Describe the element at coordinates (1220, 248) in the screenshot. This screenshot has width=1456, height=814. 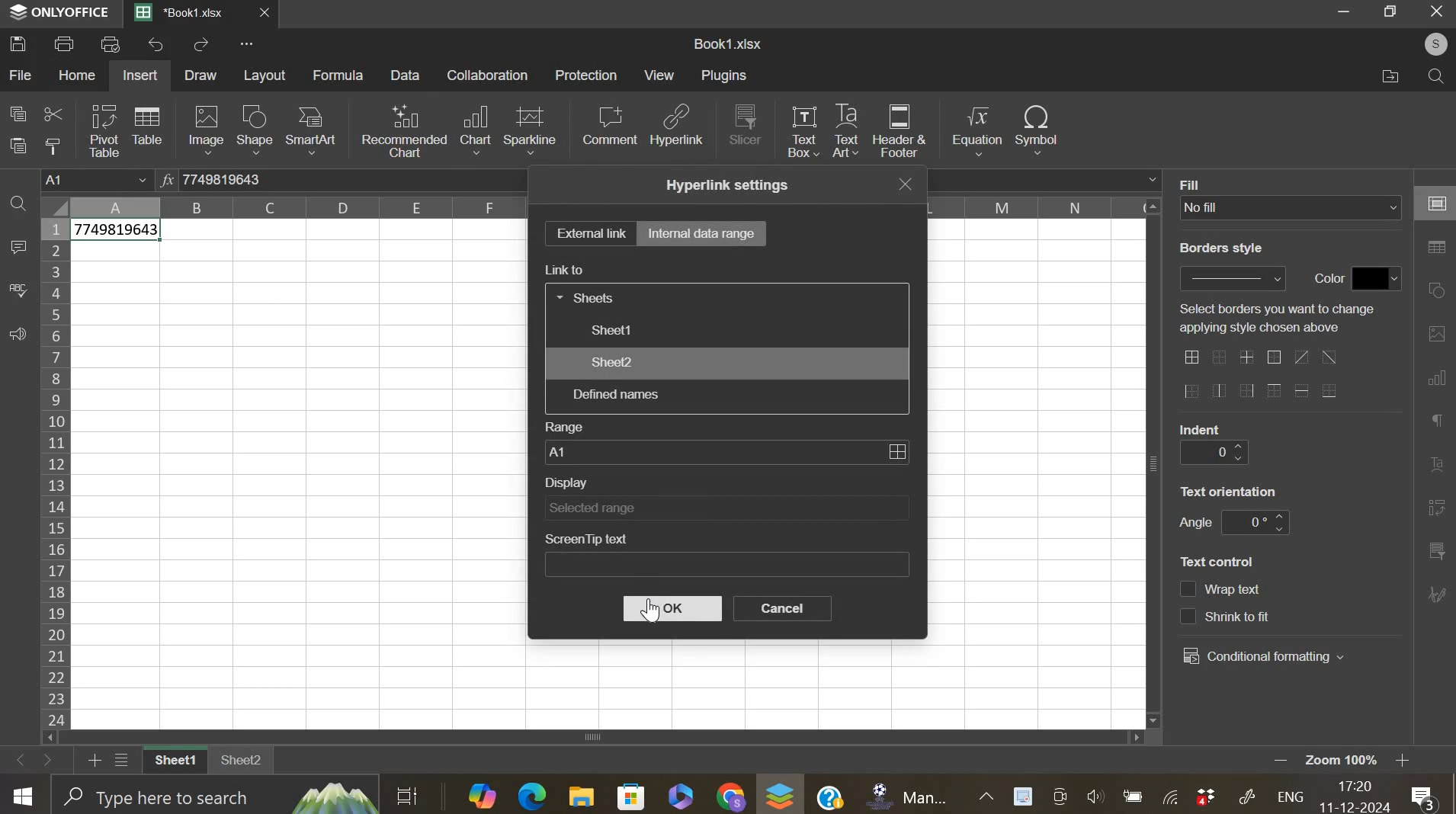
I see `text` at that location.